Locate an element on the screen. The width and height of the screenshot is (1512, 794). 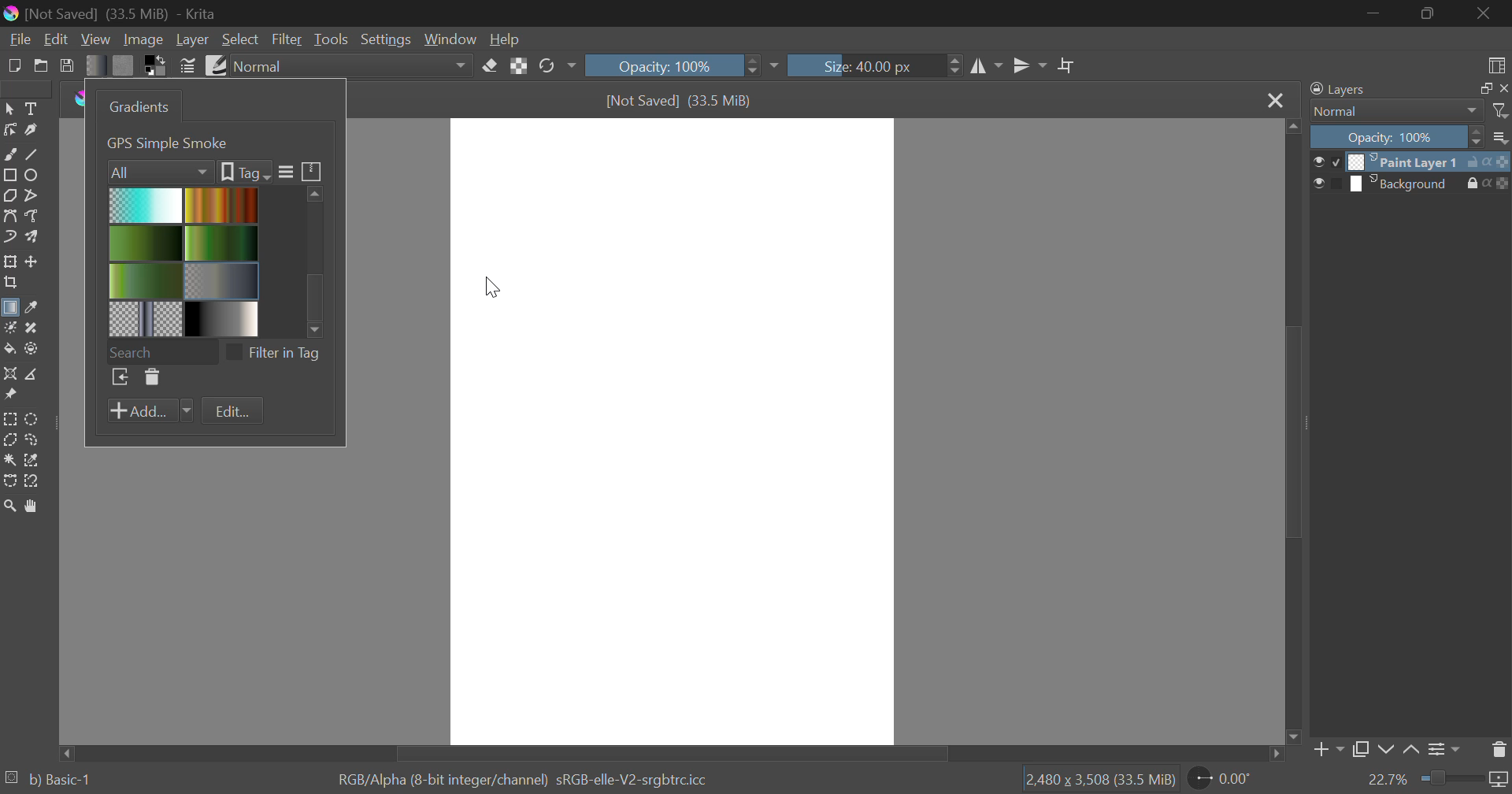
Move Layer is located at coordinates (32, 262).